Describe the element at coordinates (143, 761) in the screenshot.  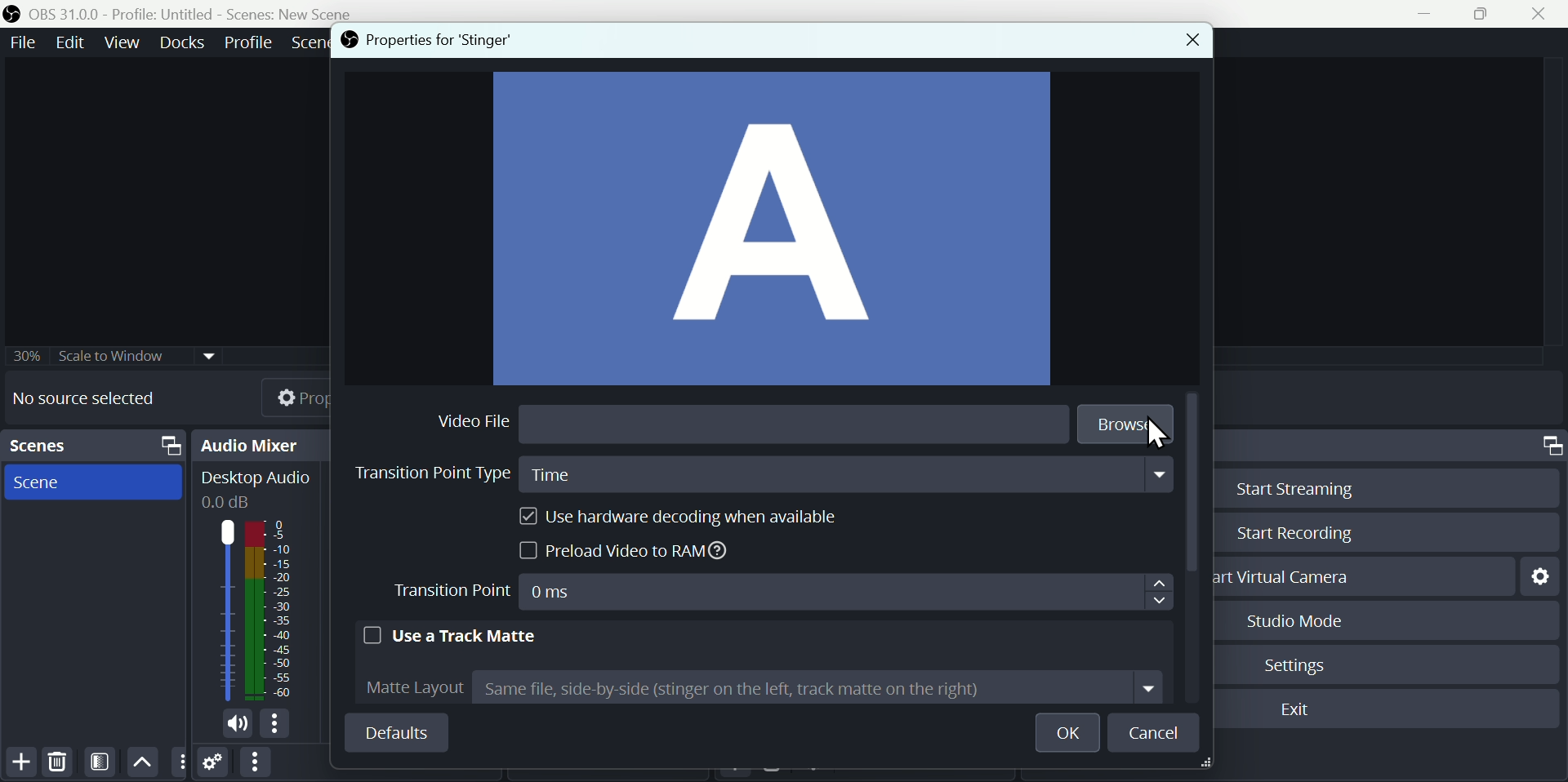
I see `Up` at that location.